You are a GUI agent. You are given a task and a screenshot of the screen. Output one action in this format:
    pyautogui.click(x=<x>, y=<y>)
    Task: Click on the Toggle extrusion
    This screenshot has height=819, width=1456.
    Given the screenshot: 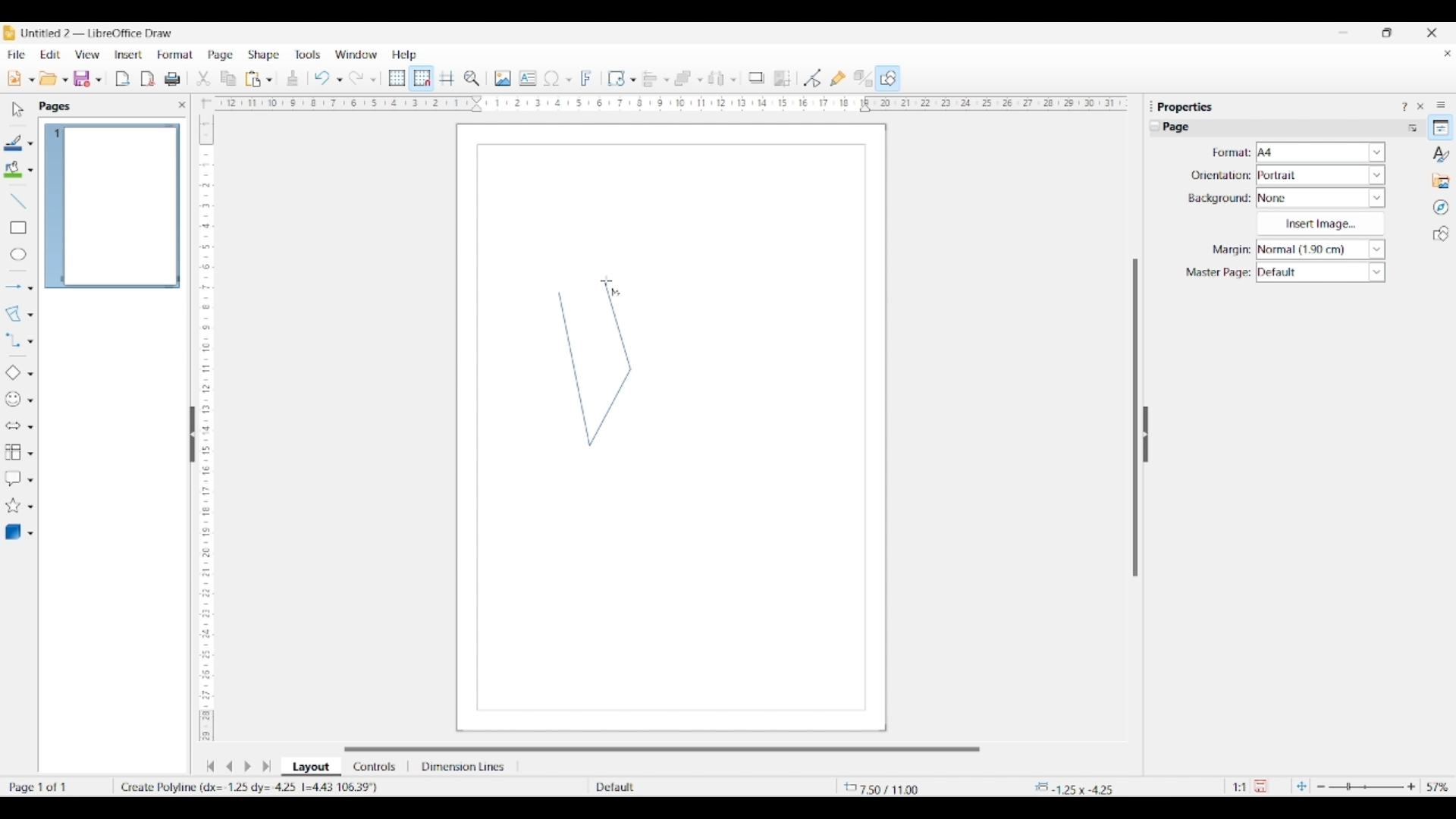 What is the action you would take?
    pyautogui.click(x=863, y=79)
    